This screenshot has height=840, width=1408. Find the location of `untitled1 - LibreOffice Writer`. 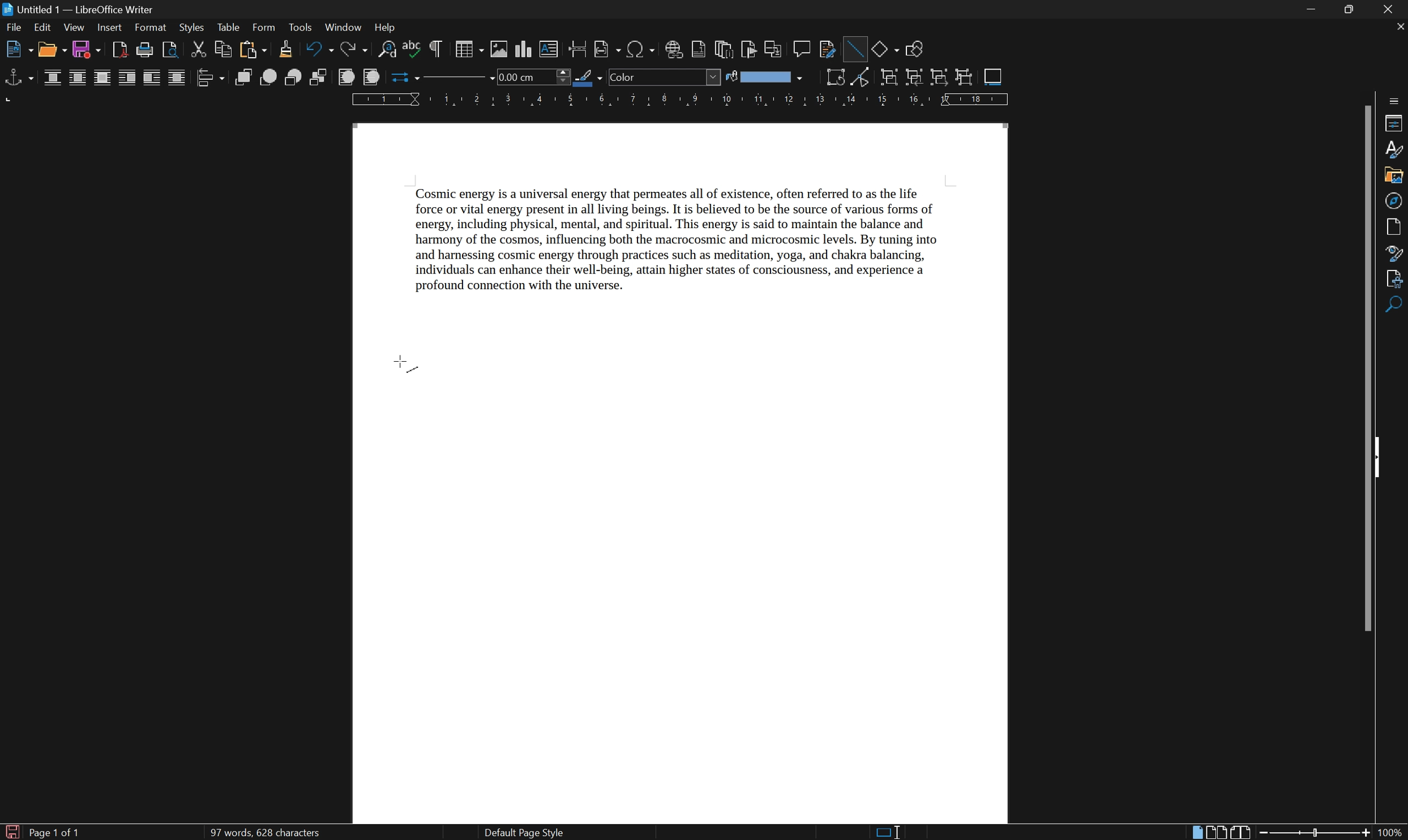

untitled1 - LibreOffice Writer is located at coordinates (78, 9).